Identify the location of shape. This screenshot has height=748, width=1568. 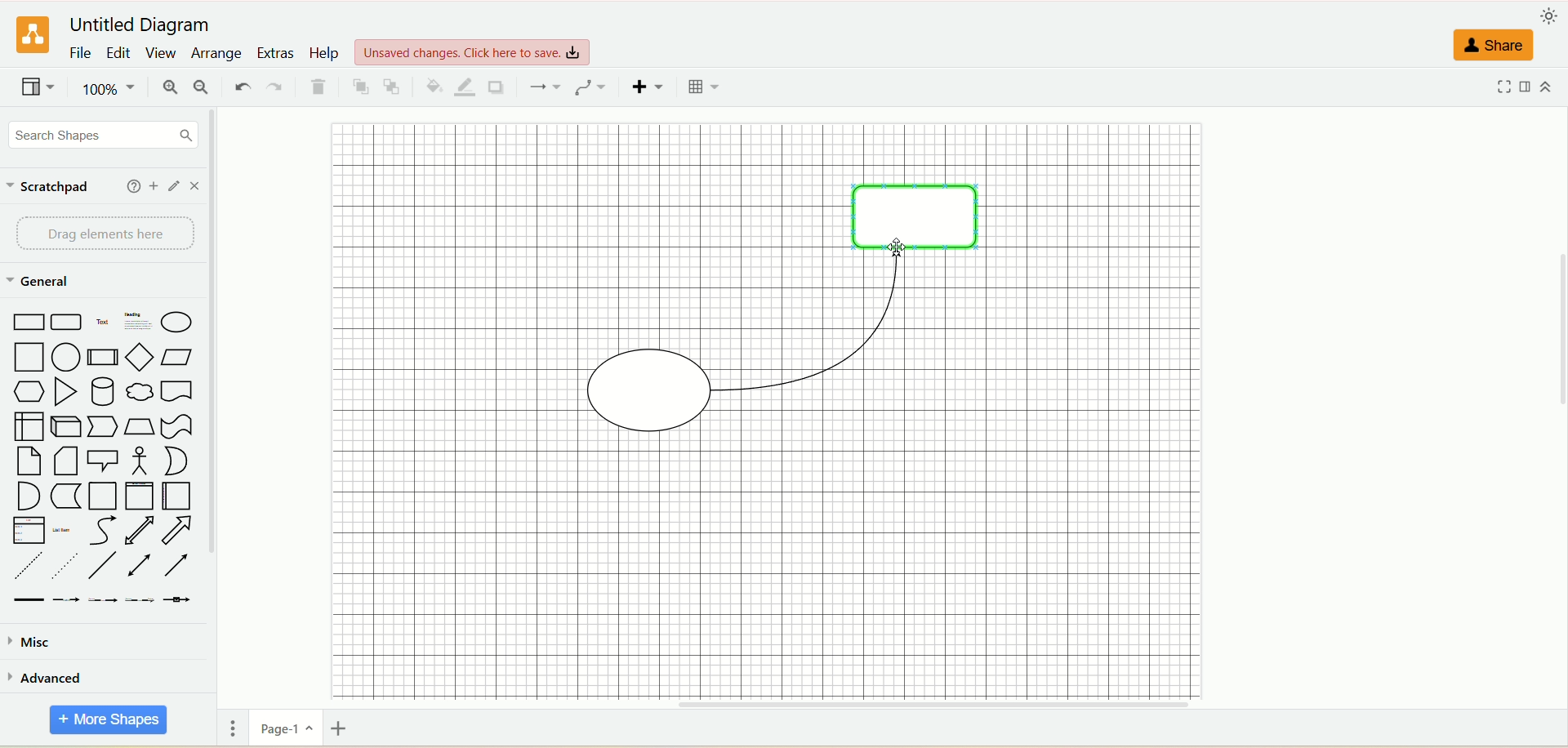
(911, 211).